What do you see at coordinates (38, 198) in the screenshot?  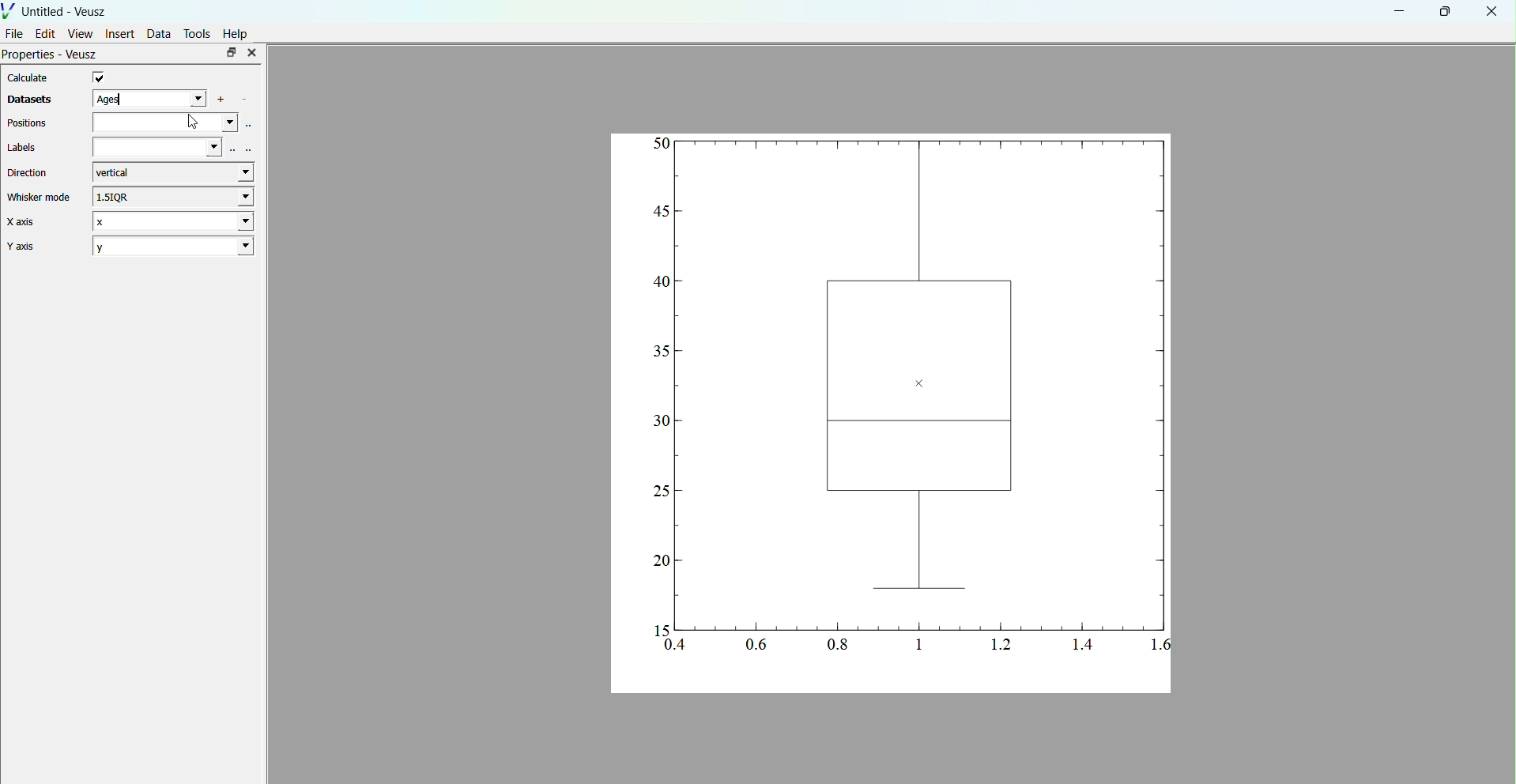 I see `Whisker mode` at bounding box center [38, 198].